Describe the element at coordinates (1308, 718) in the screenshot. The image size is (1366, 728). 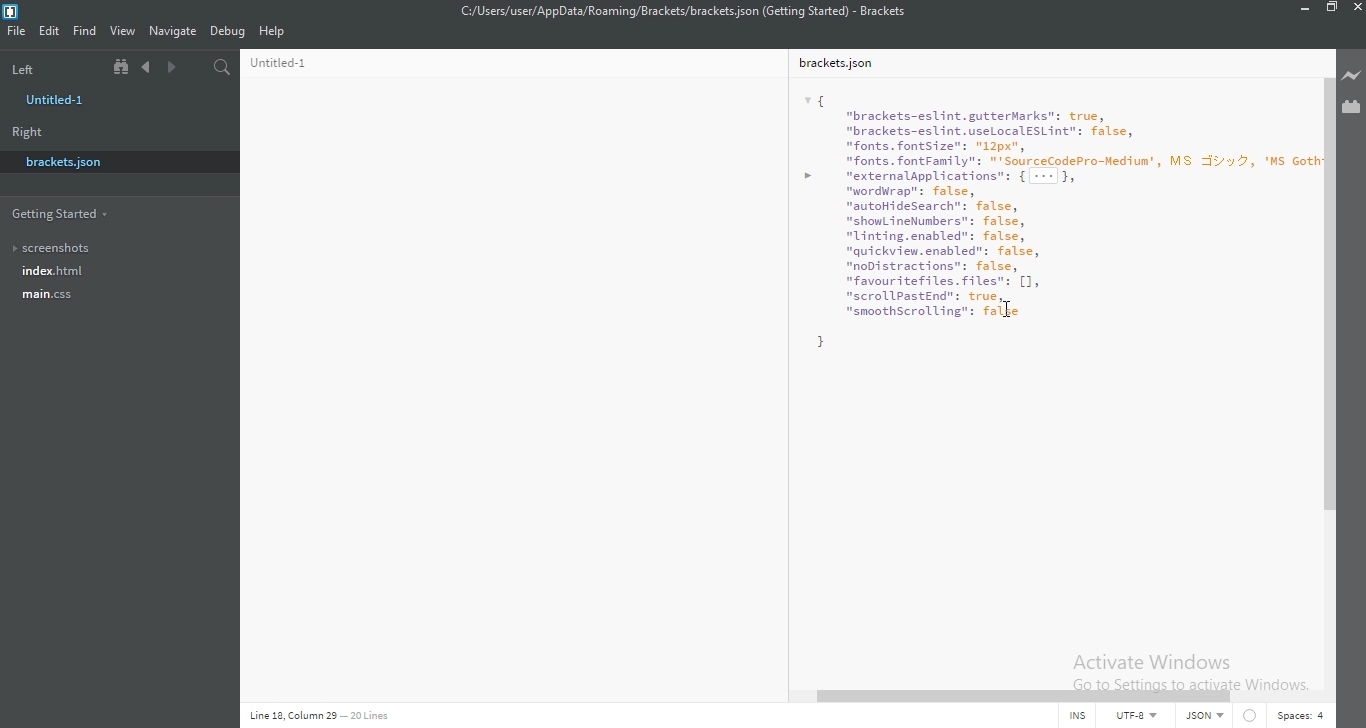
I see `Spaces:4` at that location.